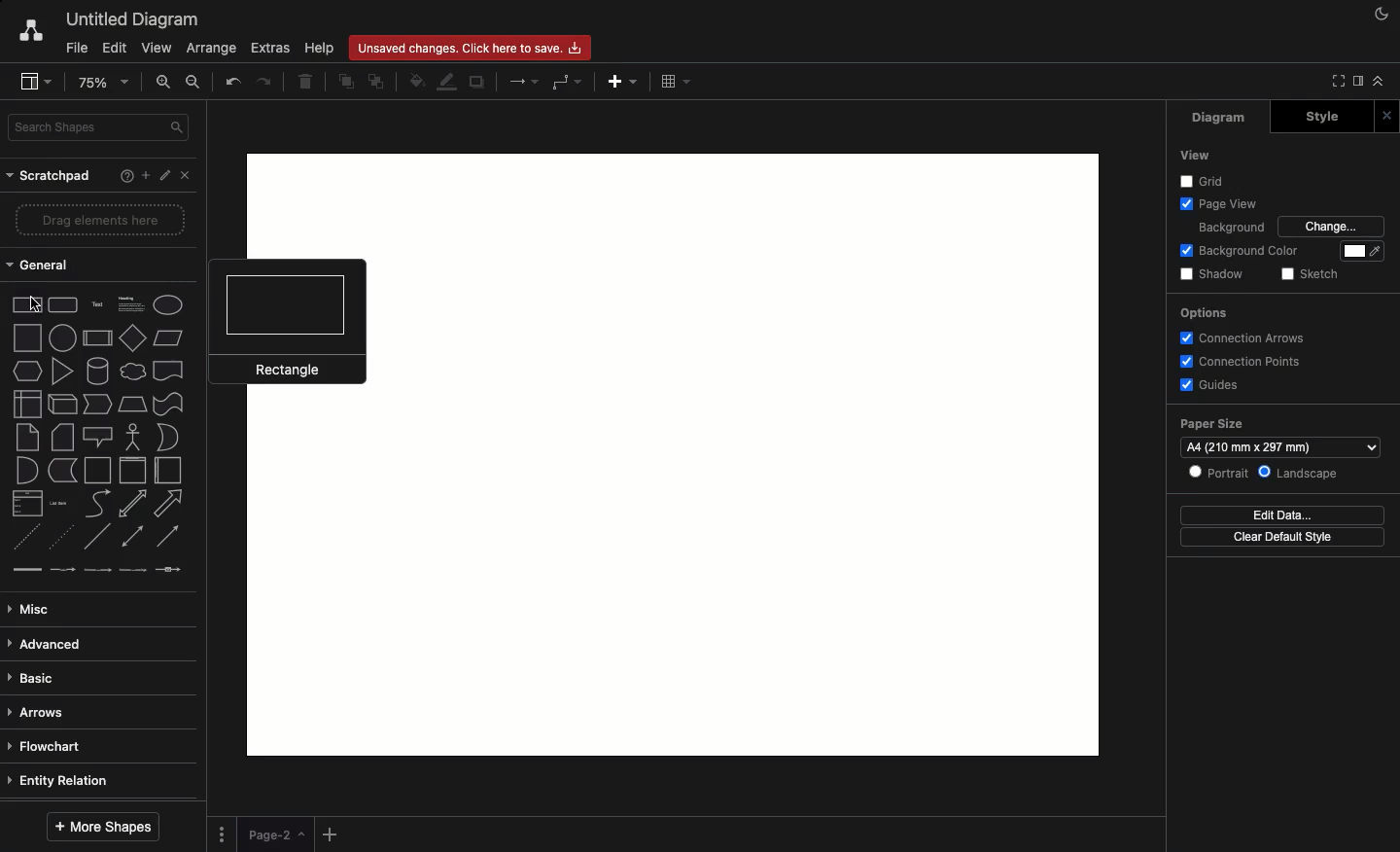 The height and width of the screenshot is (852, 1400). Describe the element at coordinates (415, 79) in the screenshot. I see `Fill color` at that location.